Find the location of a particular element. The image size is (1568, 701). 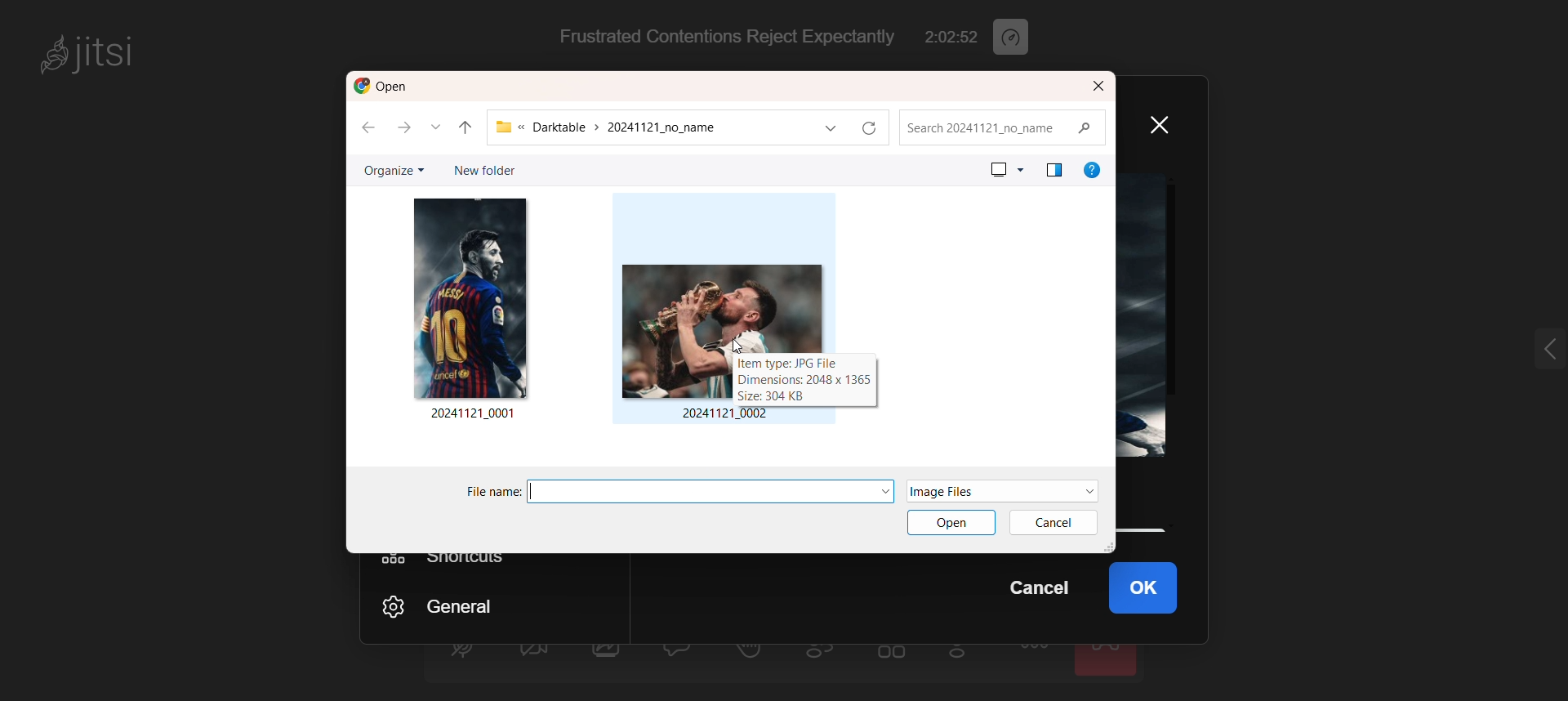

cancel is located at coordinates (1036, 593).